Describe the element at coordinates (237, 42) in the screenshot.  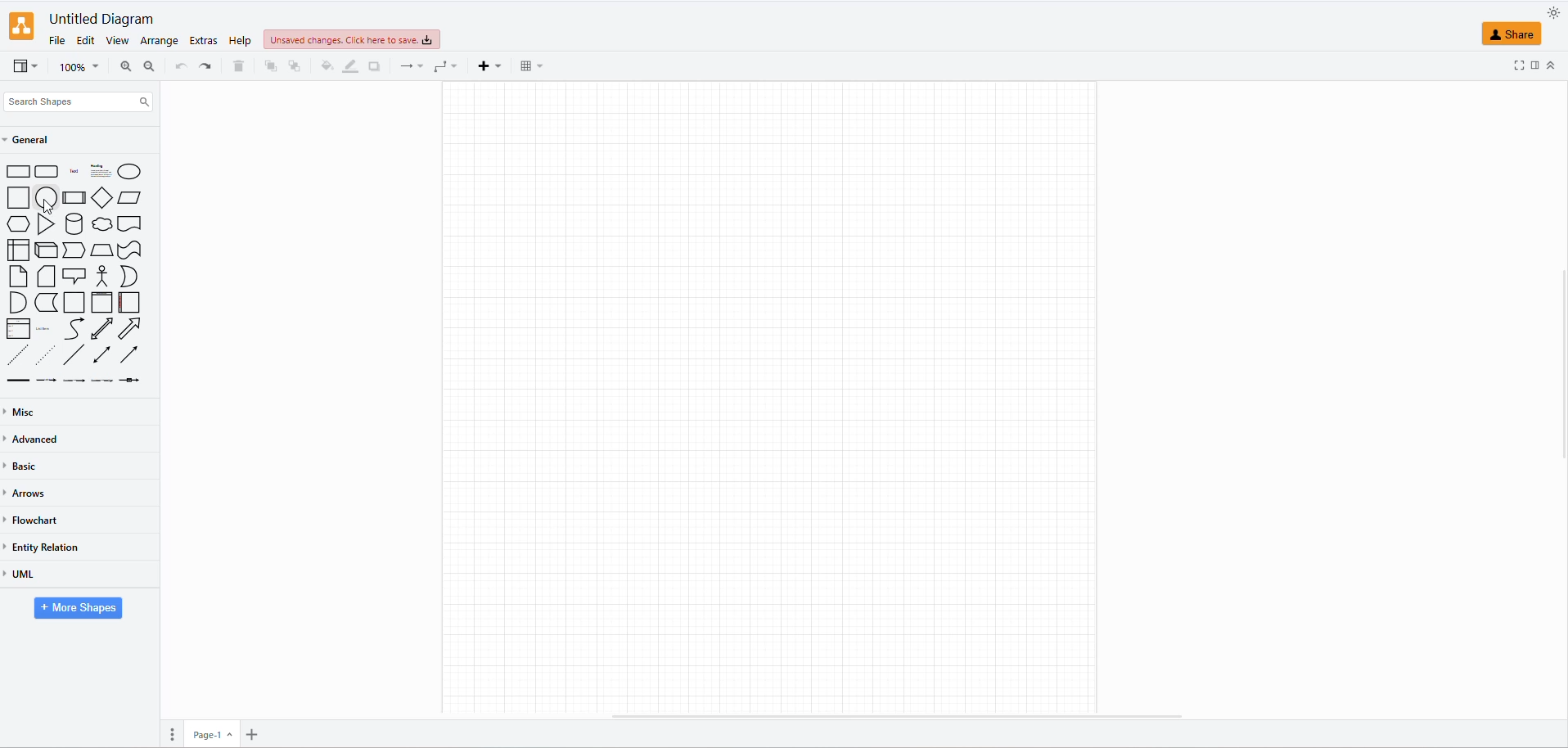
I see `HELP` at that location.